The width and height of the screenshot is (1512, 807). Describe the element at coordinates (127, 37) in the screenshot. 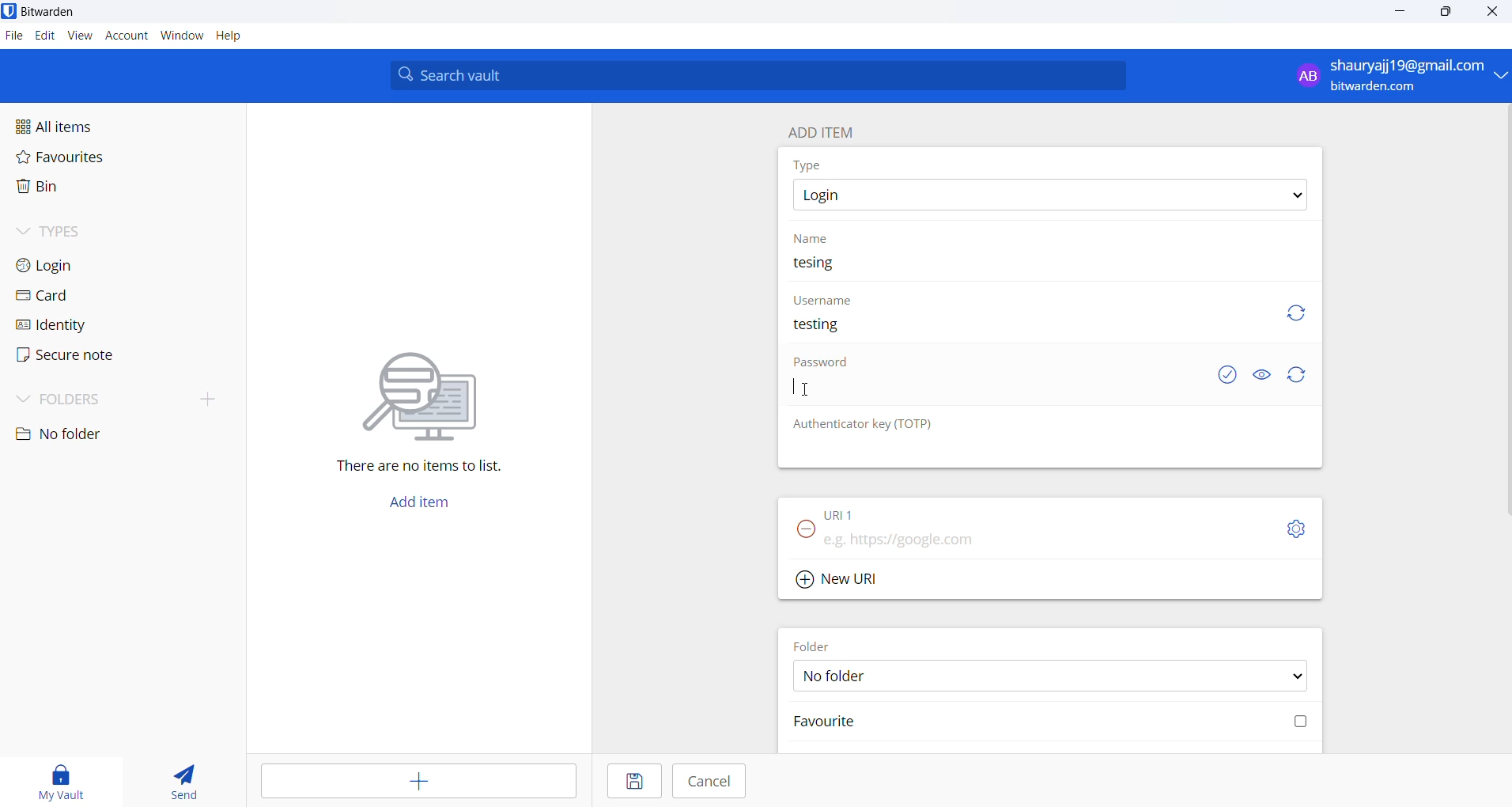

I see `account` at that location.